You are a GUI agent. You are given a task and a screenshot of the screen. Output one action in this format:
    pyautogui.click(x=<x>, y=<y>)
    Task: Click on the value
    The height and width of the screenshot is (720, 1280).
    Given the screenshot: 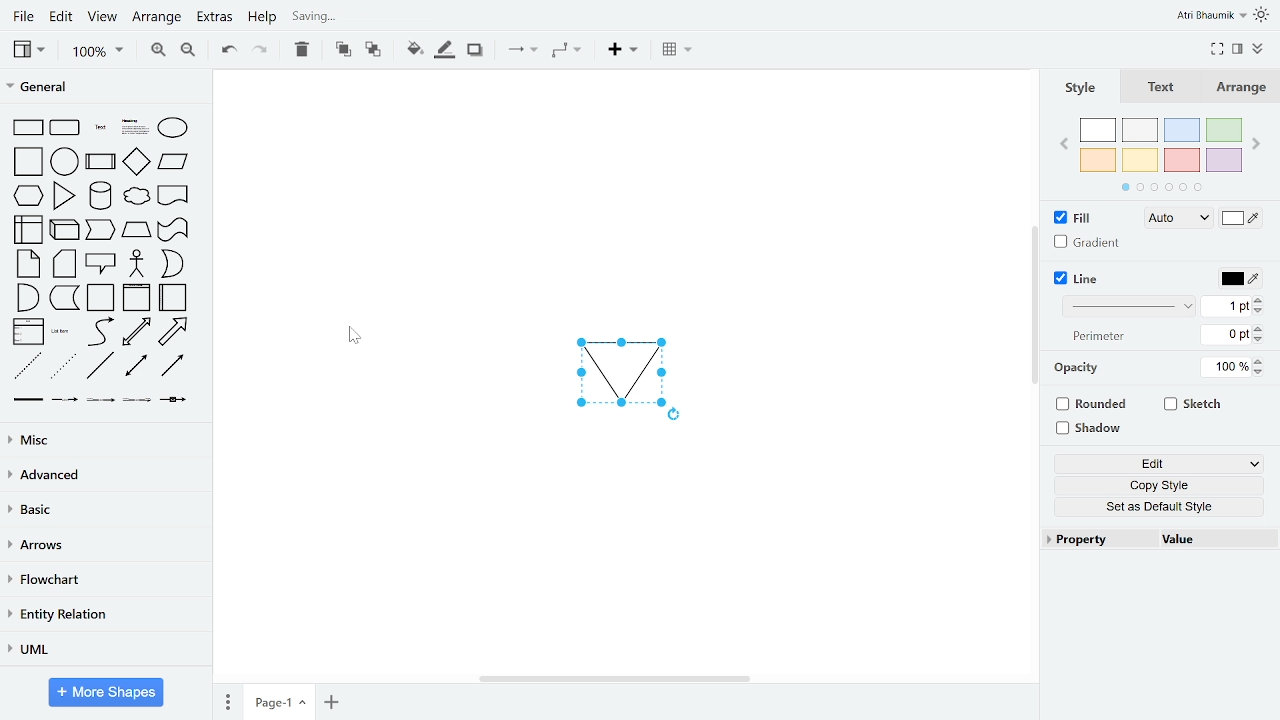 What is the action you would take?
    pyautogui.click(x=1209, y=539)
    